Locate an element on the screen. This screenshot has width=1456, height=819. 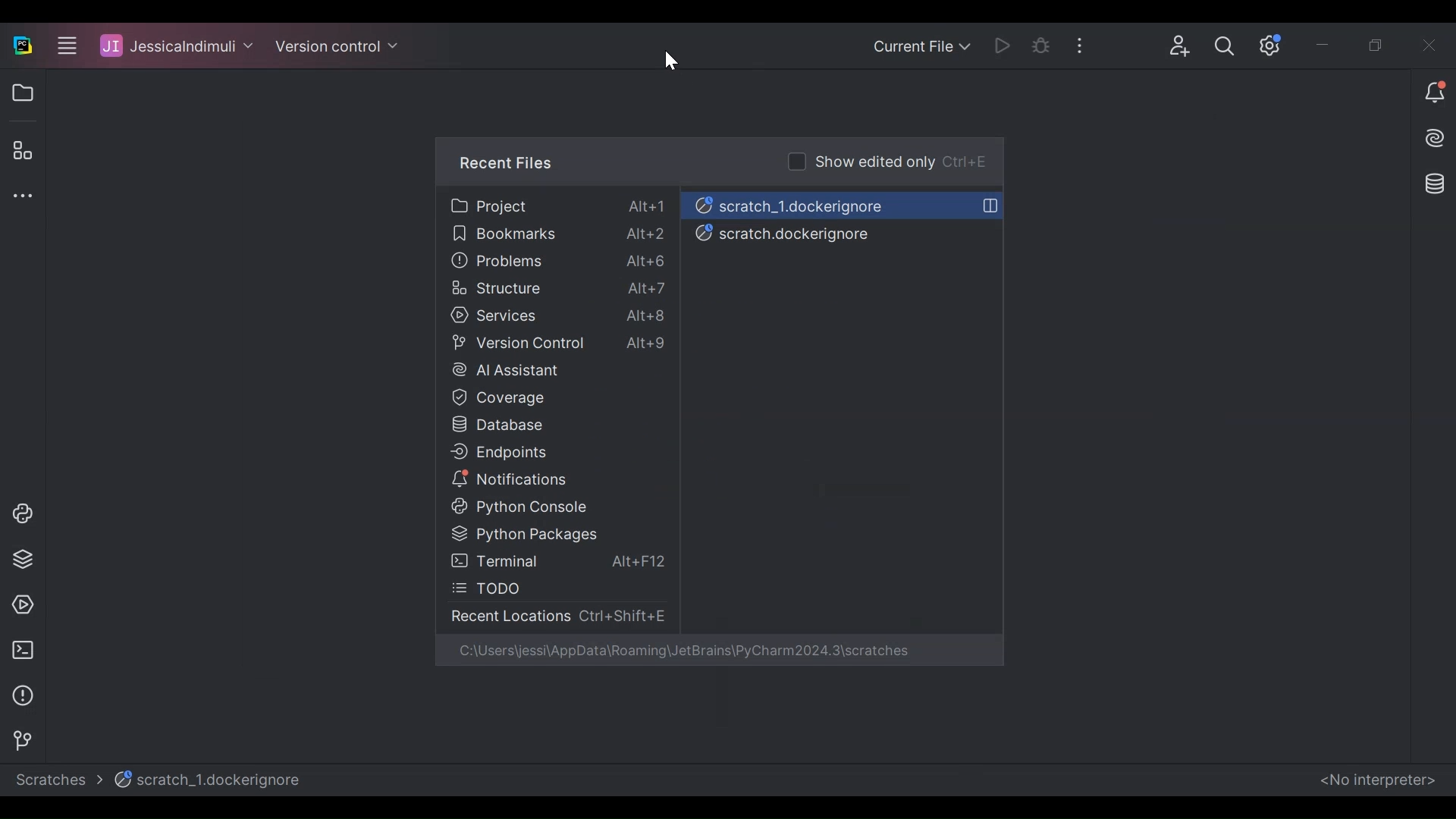
Settings is located at coordinates (1274, 42).